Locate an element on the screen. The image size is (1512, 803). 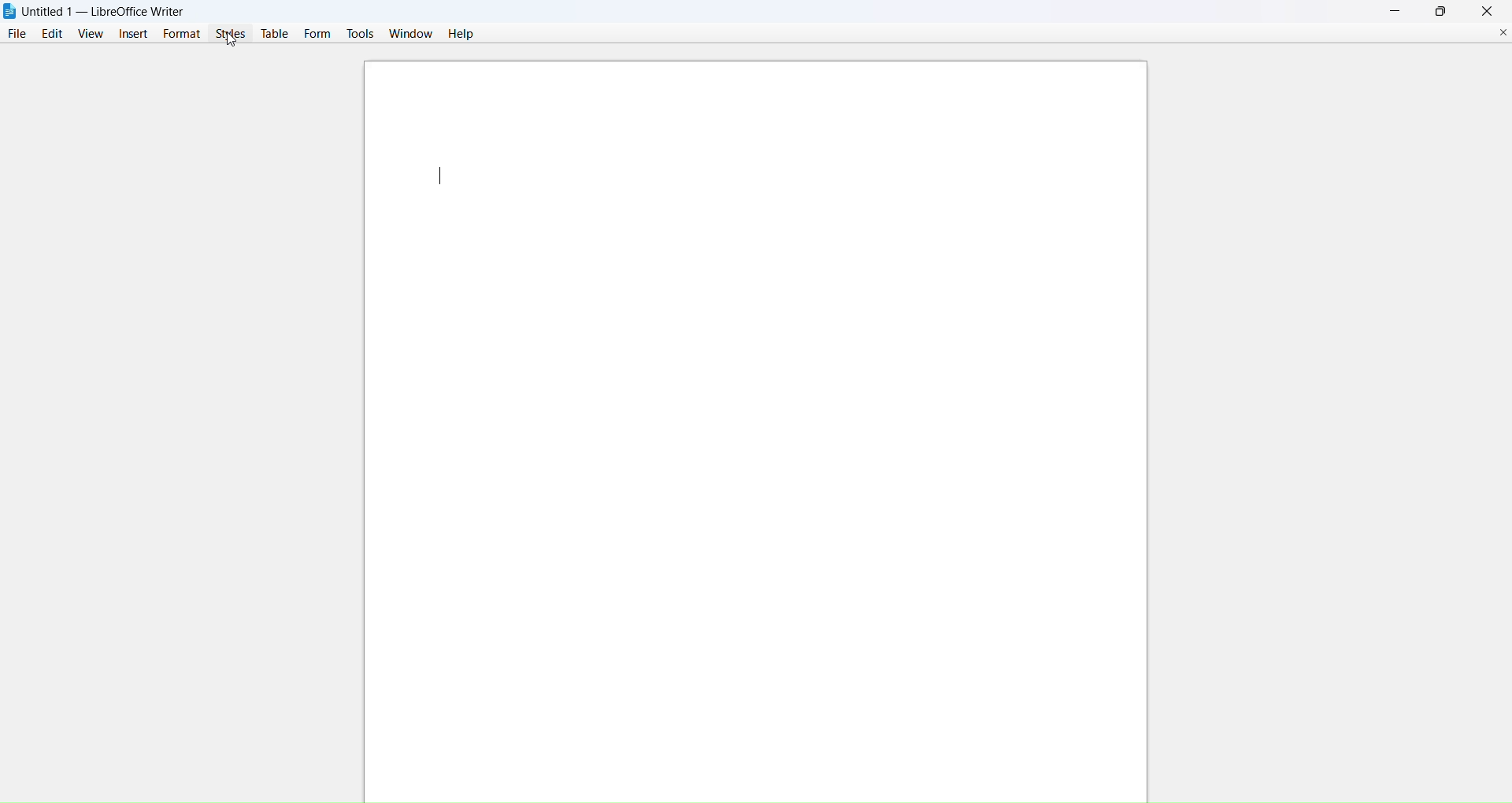
cursor is located at coordinates (231, 41).